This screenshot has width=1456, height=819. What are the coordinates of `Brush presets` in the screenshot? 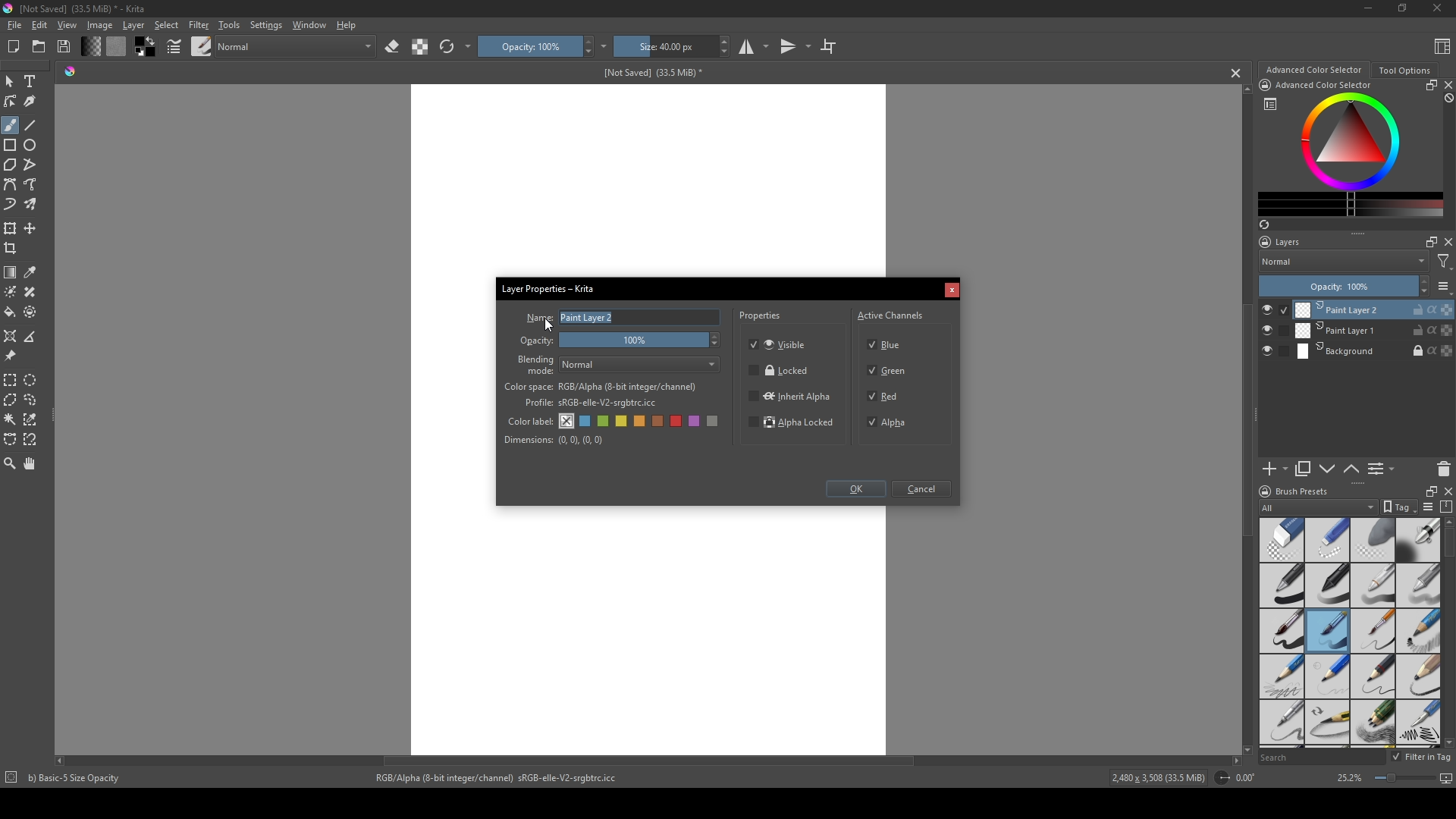 It's located at (1303, 491).